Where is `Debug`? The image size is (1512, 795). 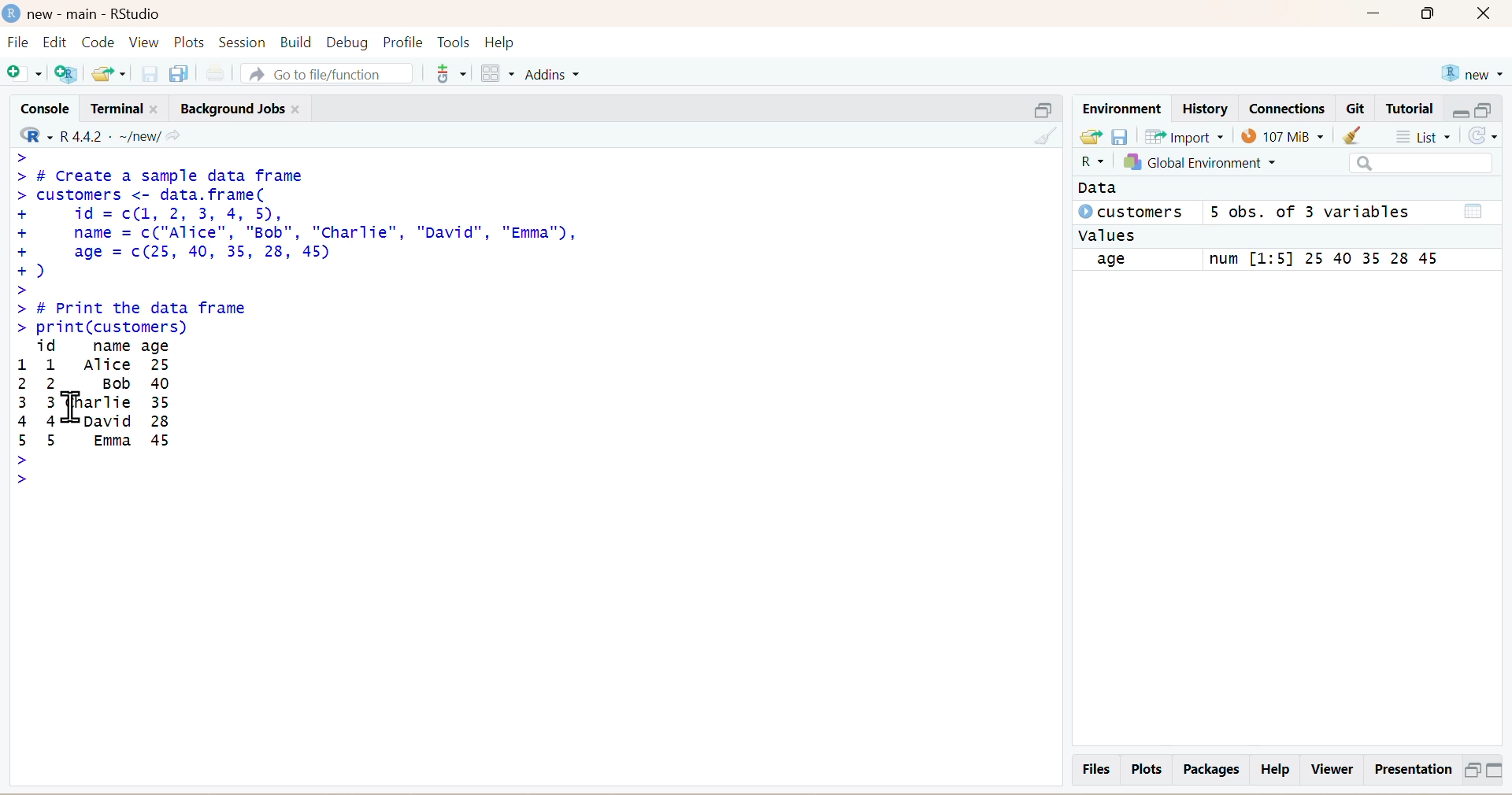
Debug is located at coordinates (346, 41).